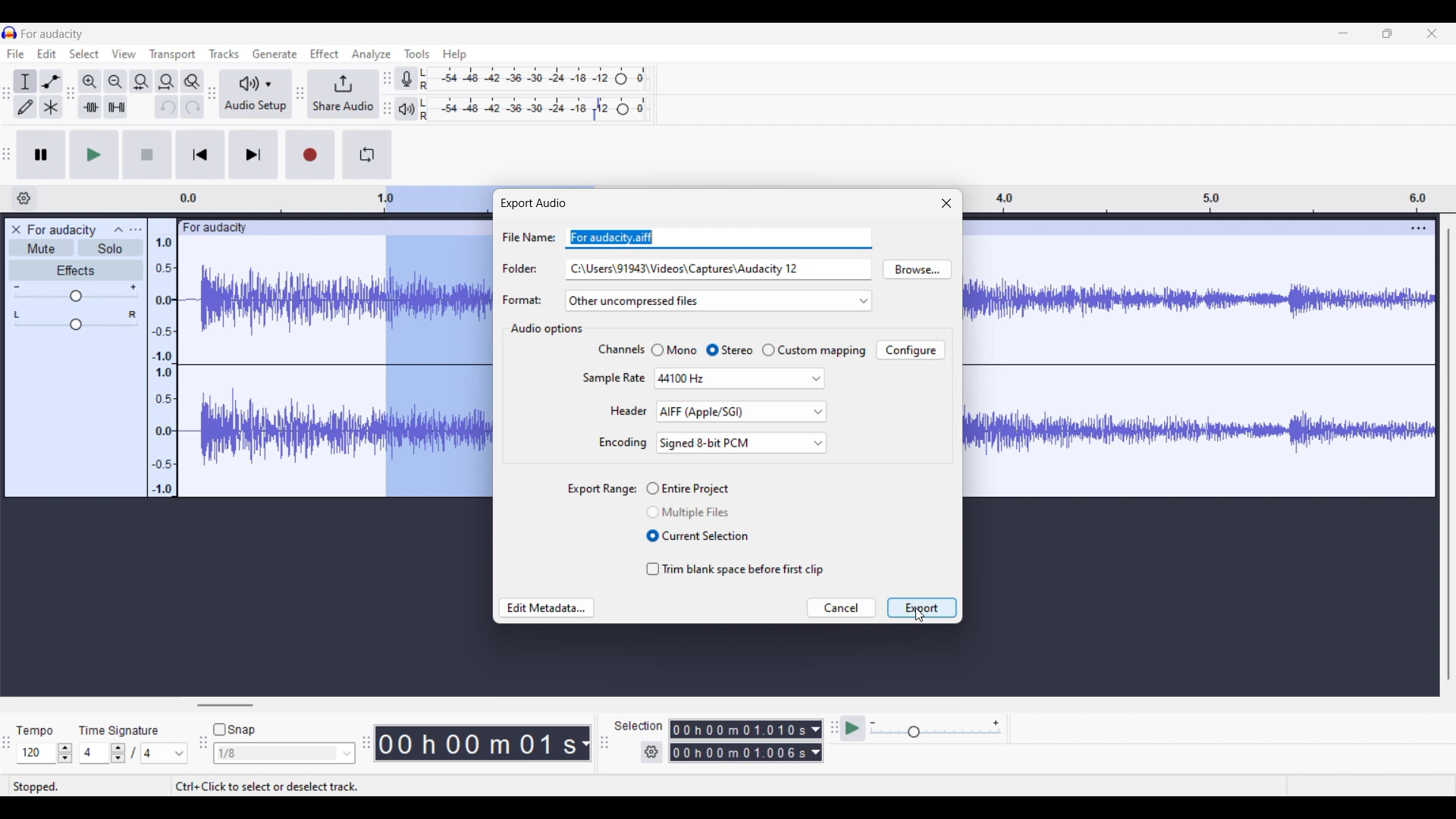 Image resolution: width=1456 pixels, height=819 pixels. I want to click on Export, highlighted by cursor, so click(922, 607).